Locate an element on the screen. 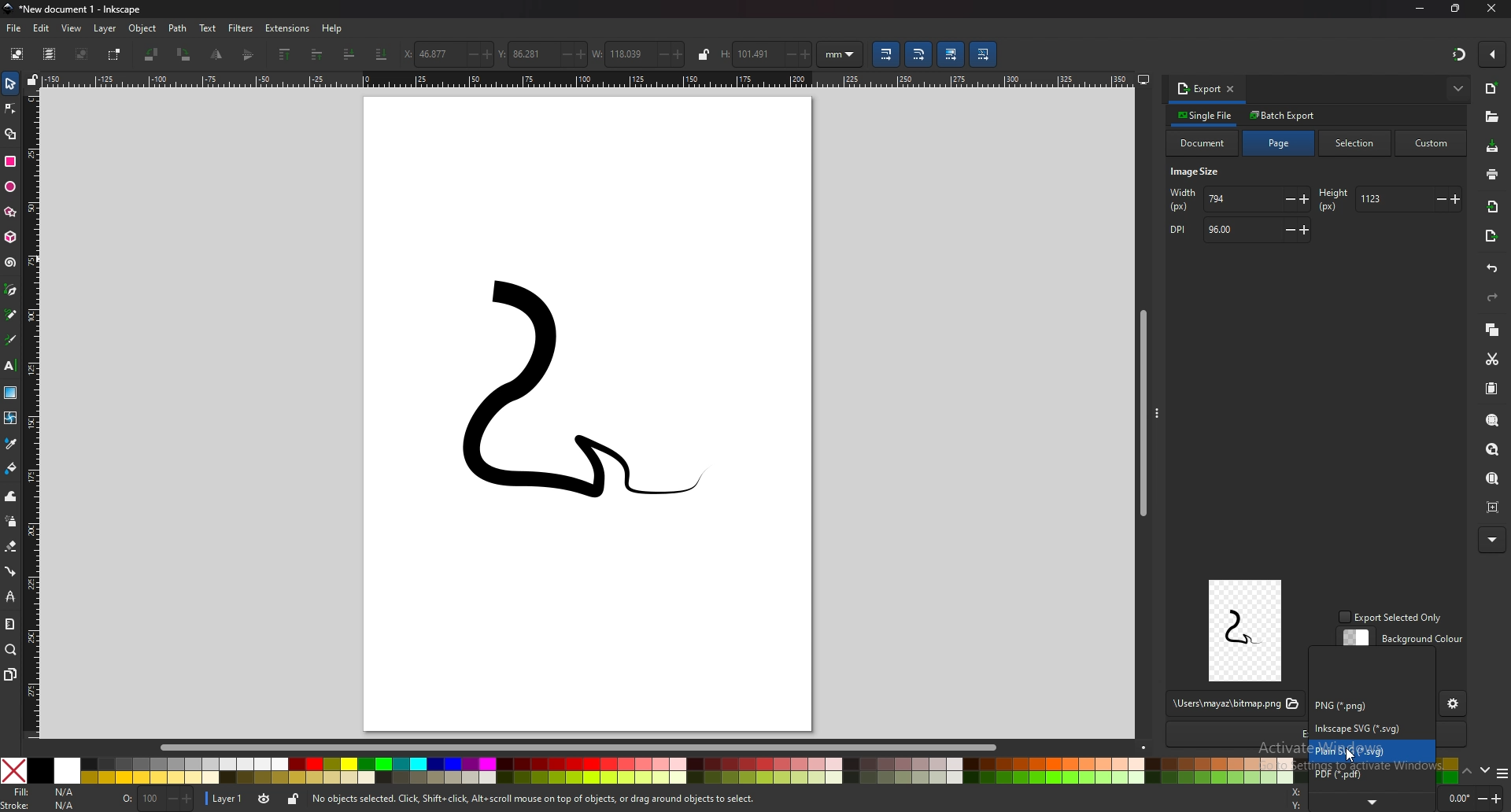 This screenshot has width=1511, height=812. page is located at coordinates (1280, 143).